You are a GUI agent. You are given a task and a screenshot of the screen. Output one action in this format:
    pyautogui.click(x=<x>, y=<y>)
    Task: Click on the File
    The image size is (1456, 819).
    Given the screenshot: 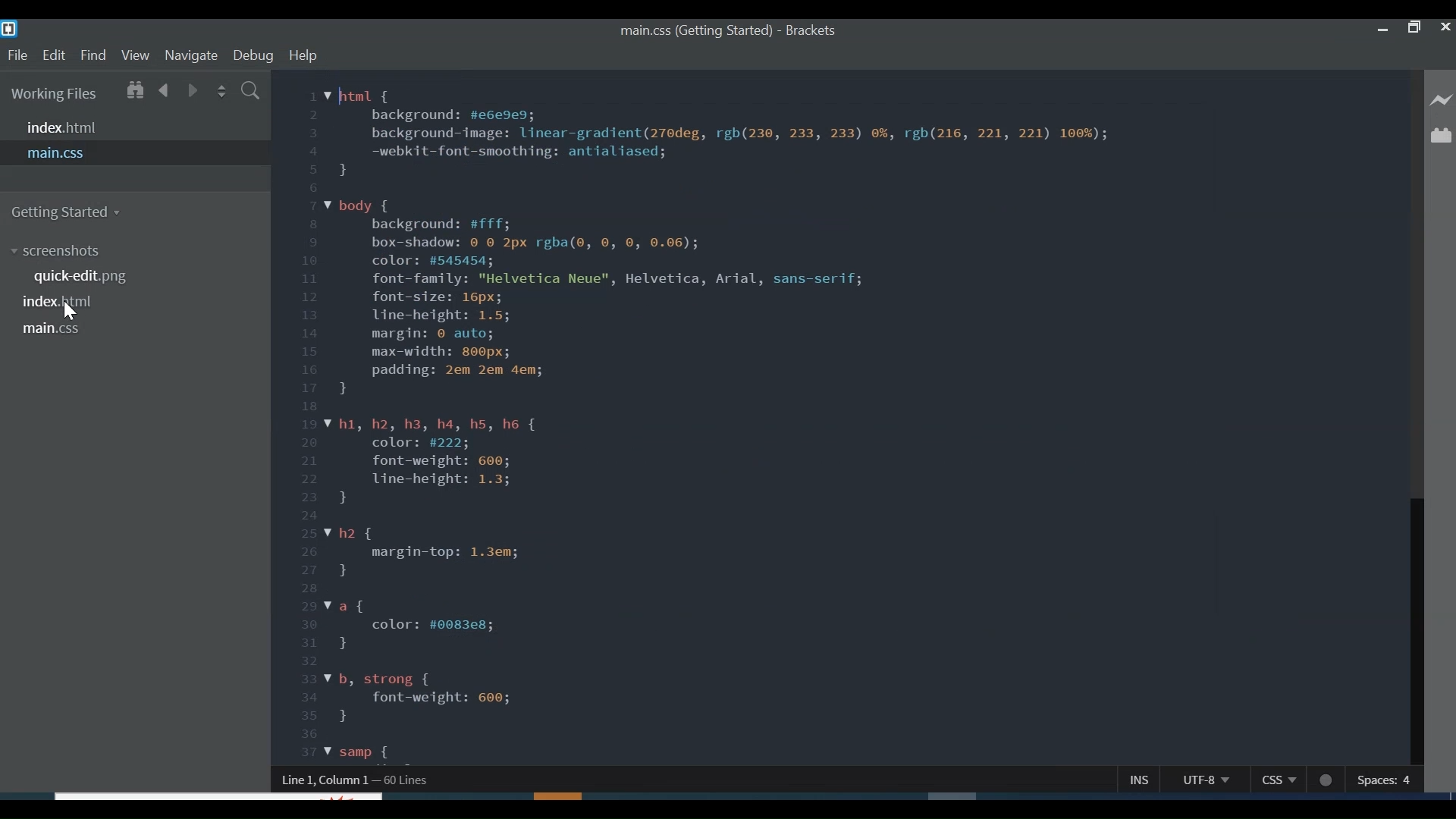 What is the action you would take?
    pyautogui.click(x=17, y=56)
    